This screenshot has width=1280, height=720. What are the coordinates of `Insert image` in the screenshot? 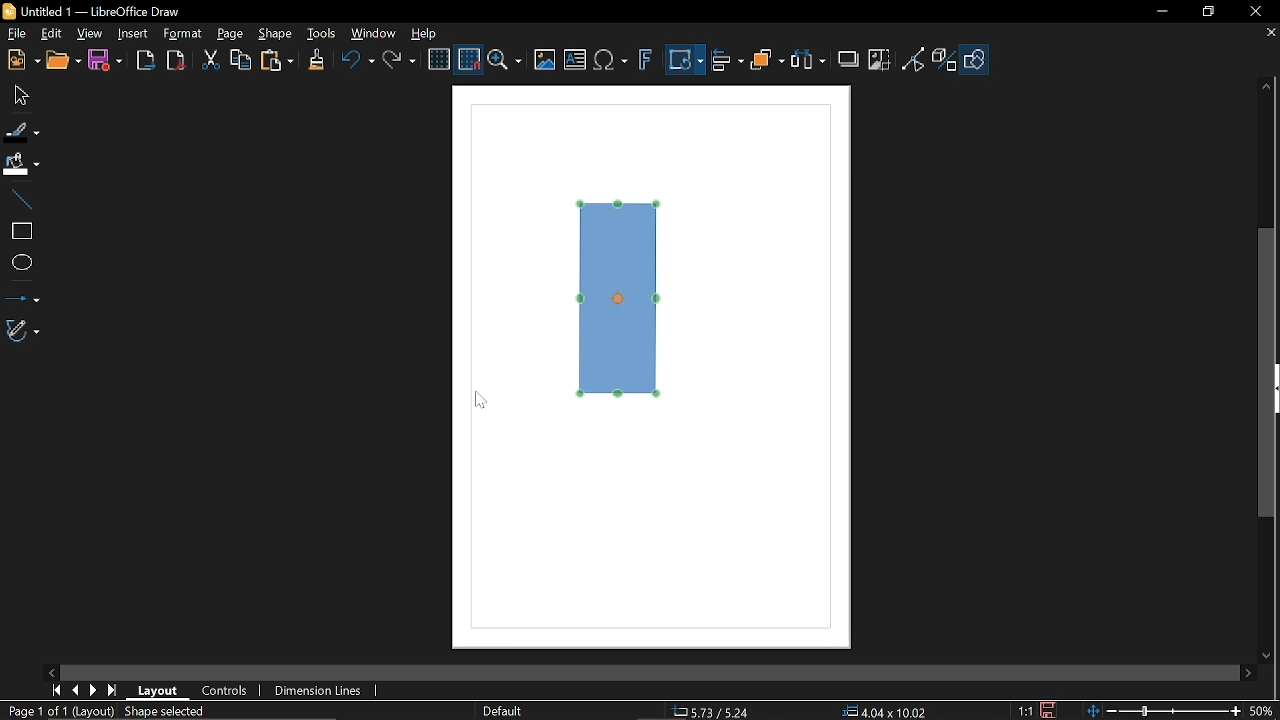 It's located at (545, 61).